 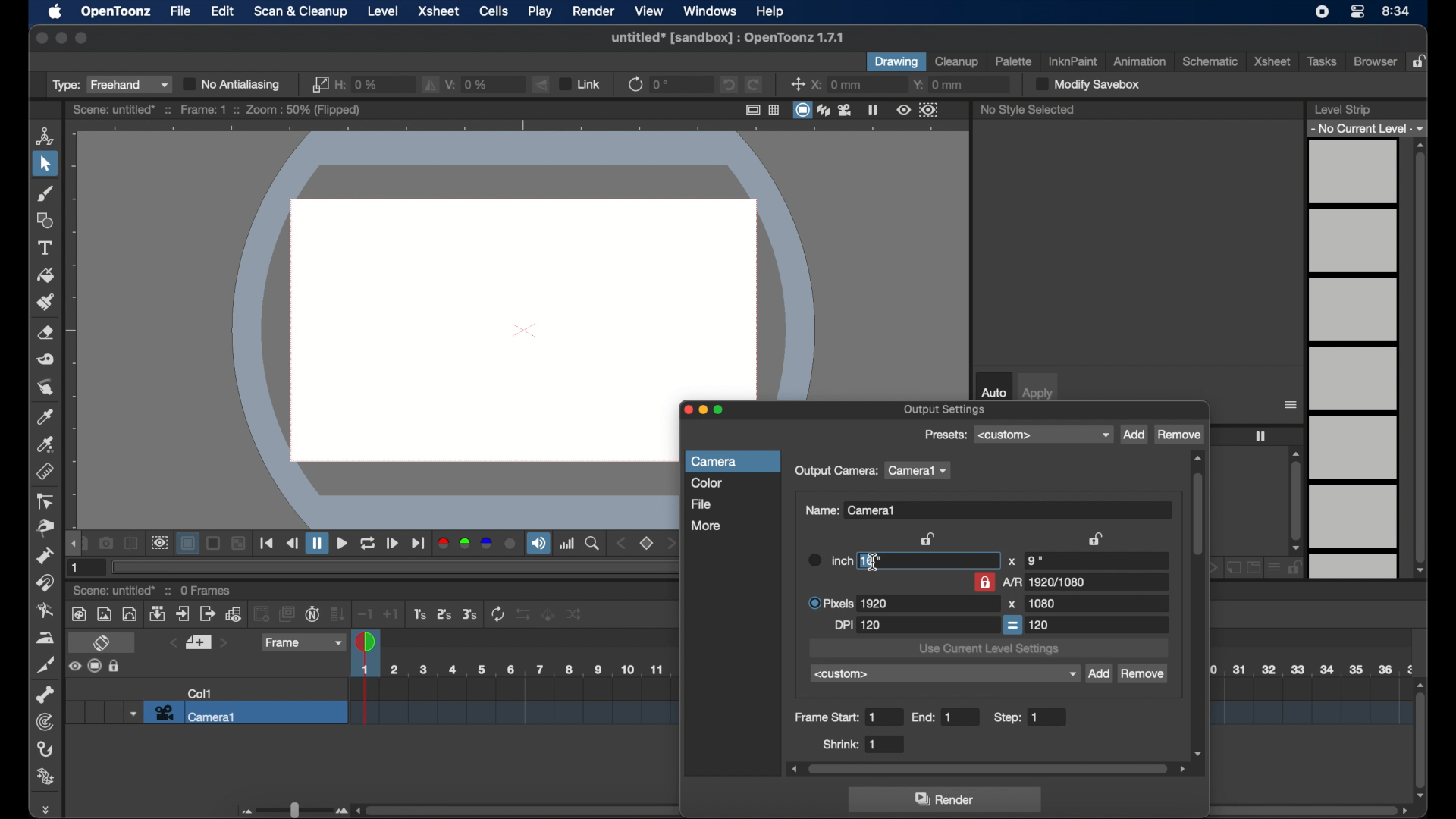 What do you see at coordinates (79, 613) in the screenshot?
I see `` at bounding box center [79, 613].